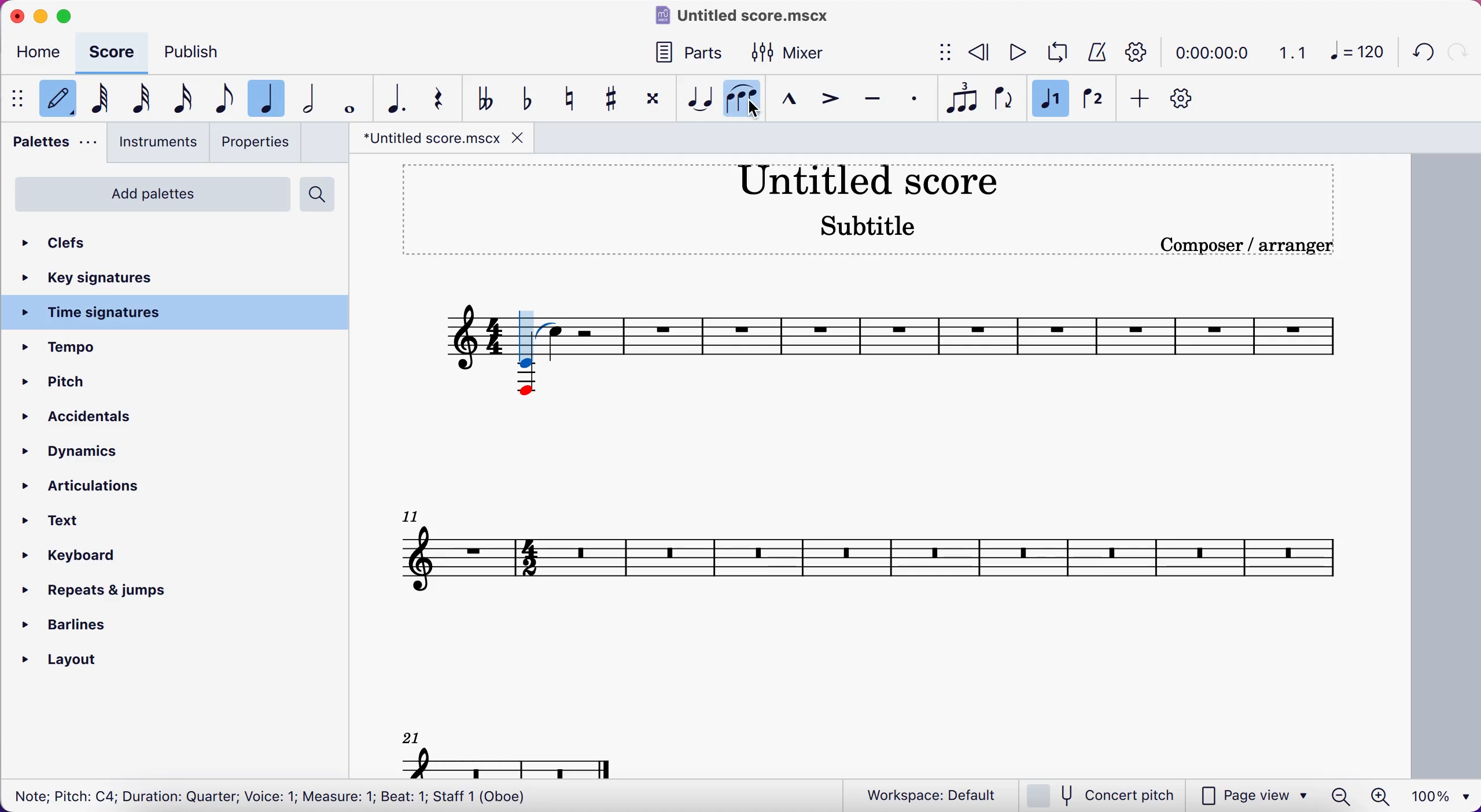 The height and width of the screenshot is (812, 1481). I want to click on tenuto, so click(872, 101).